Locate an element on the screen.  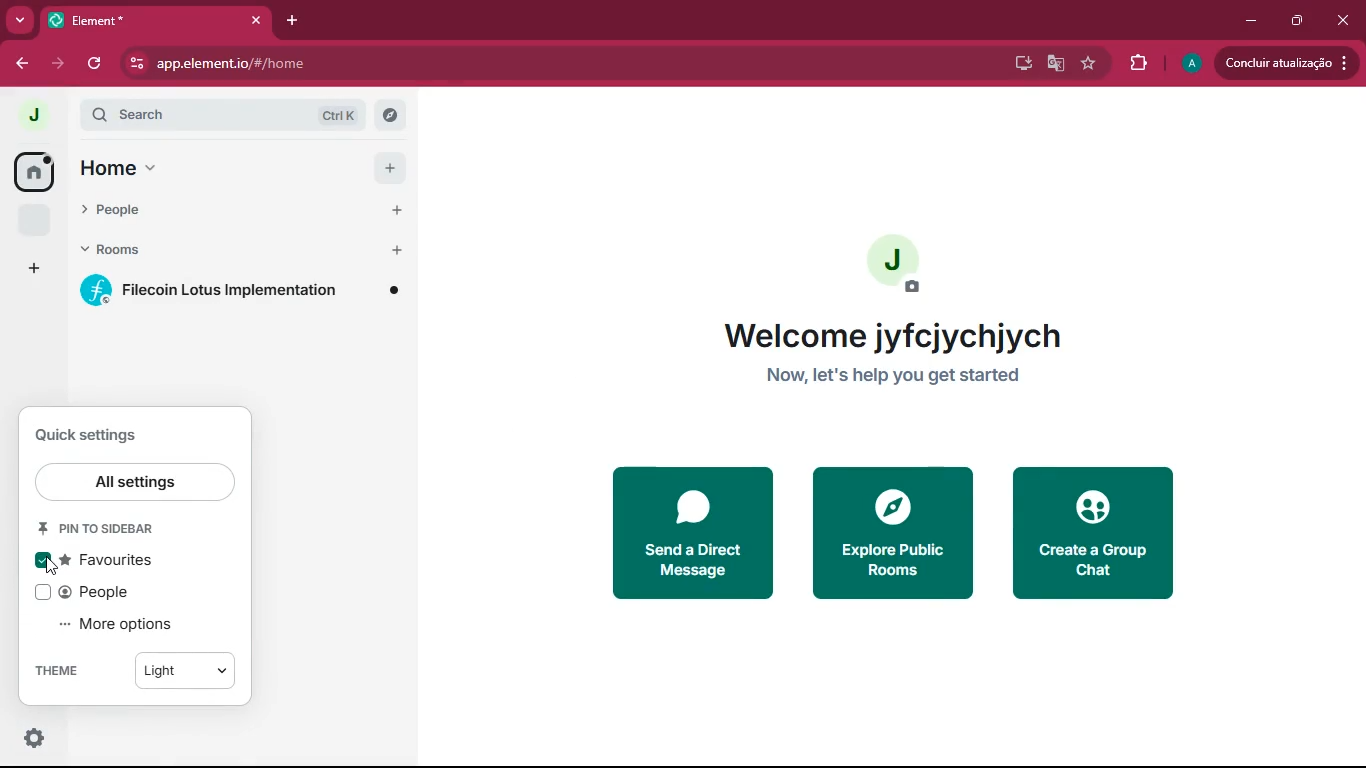
search is located at coordinates (243, 114).